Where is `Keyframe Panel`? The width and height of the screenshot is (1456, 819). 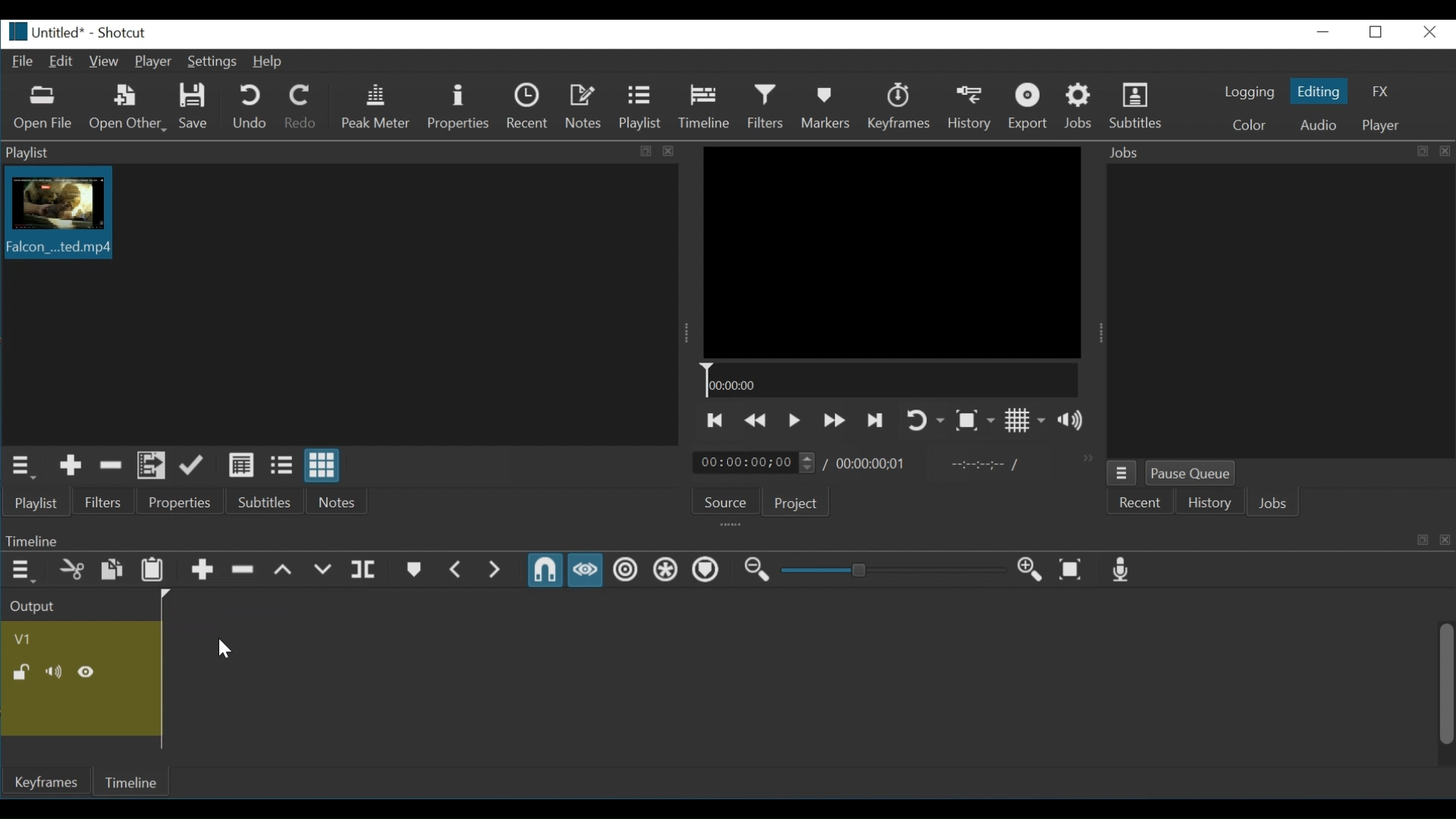
Keyframe Panel is located at coordinates (724, 540).